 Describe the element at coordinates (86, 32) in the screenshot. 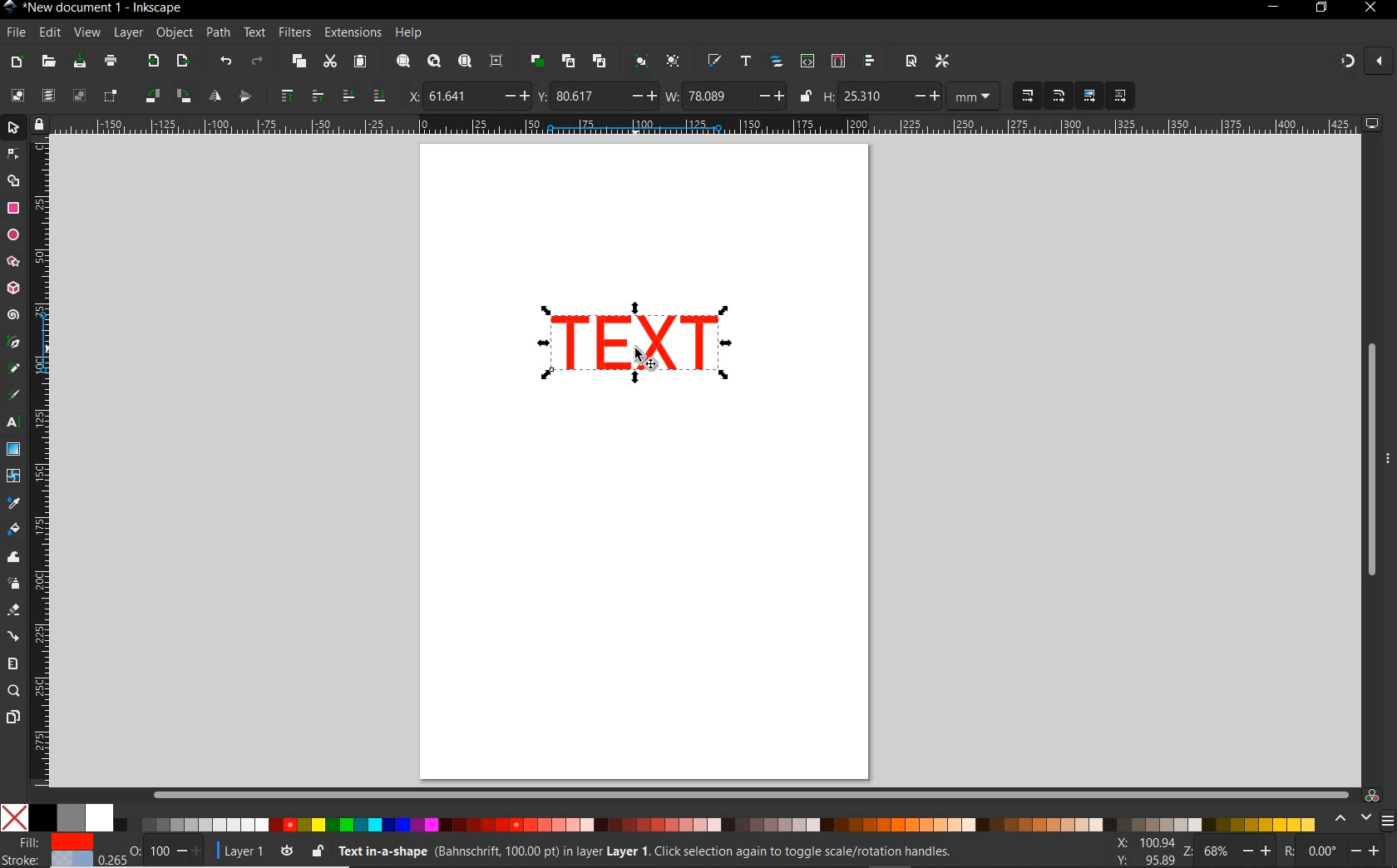

I see `view` at that location.